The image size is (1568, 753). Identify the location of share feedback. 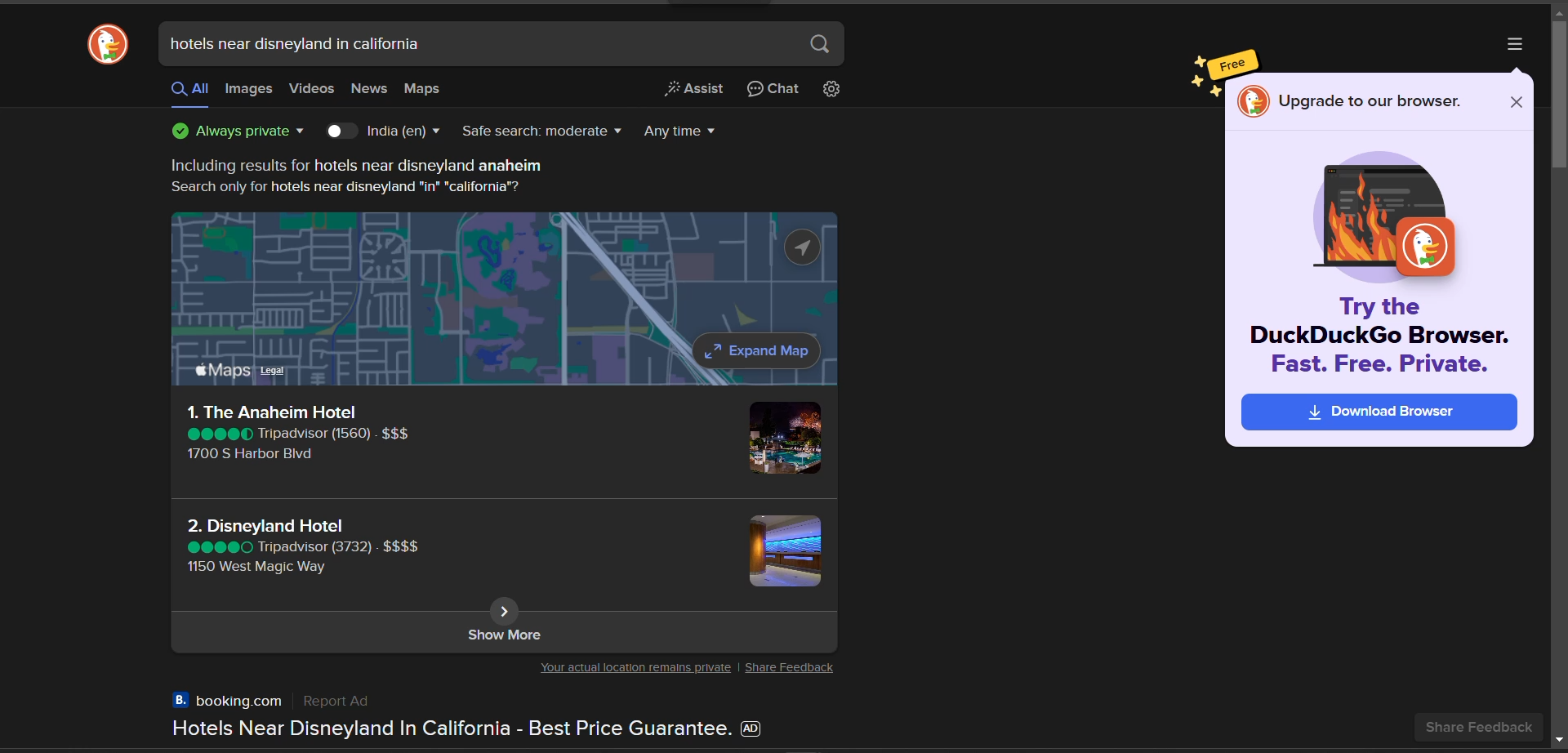
(793, 668).